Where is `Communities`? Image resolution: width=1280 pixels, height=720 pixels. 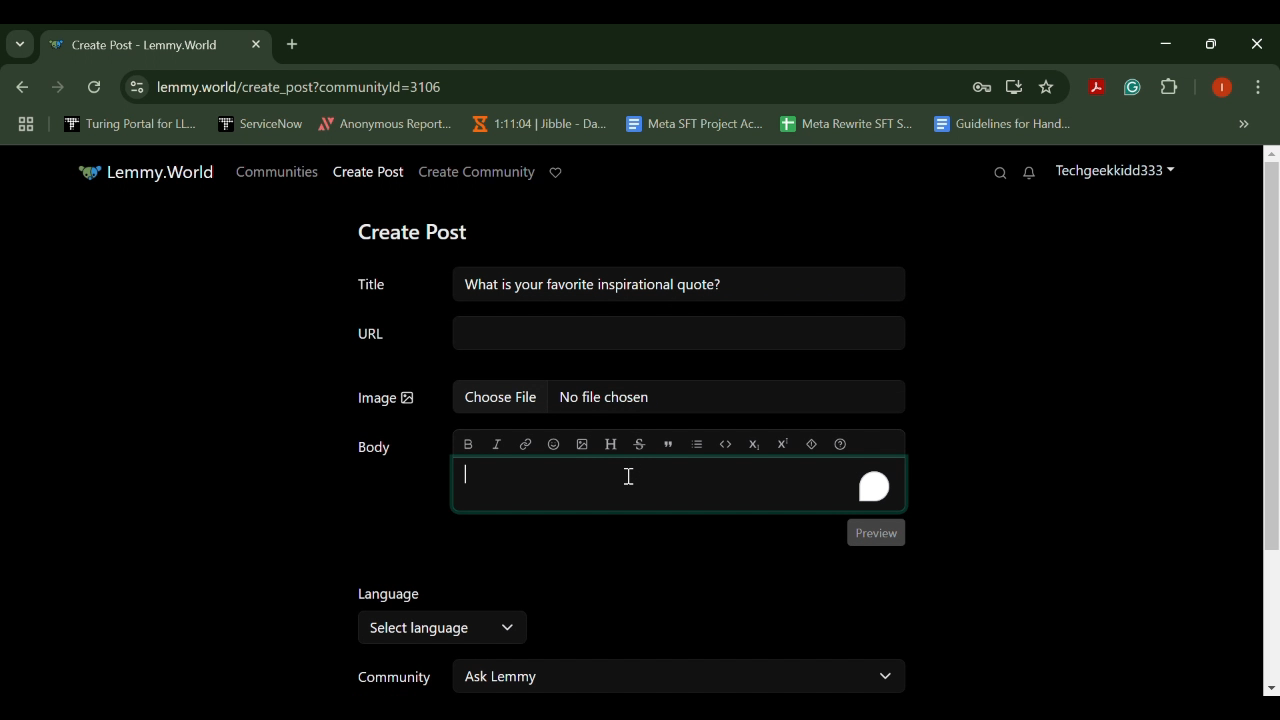 Communities is located at coordinates (277, 171).